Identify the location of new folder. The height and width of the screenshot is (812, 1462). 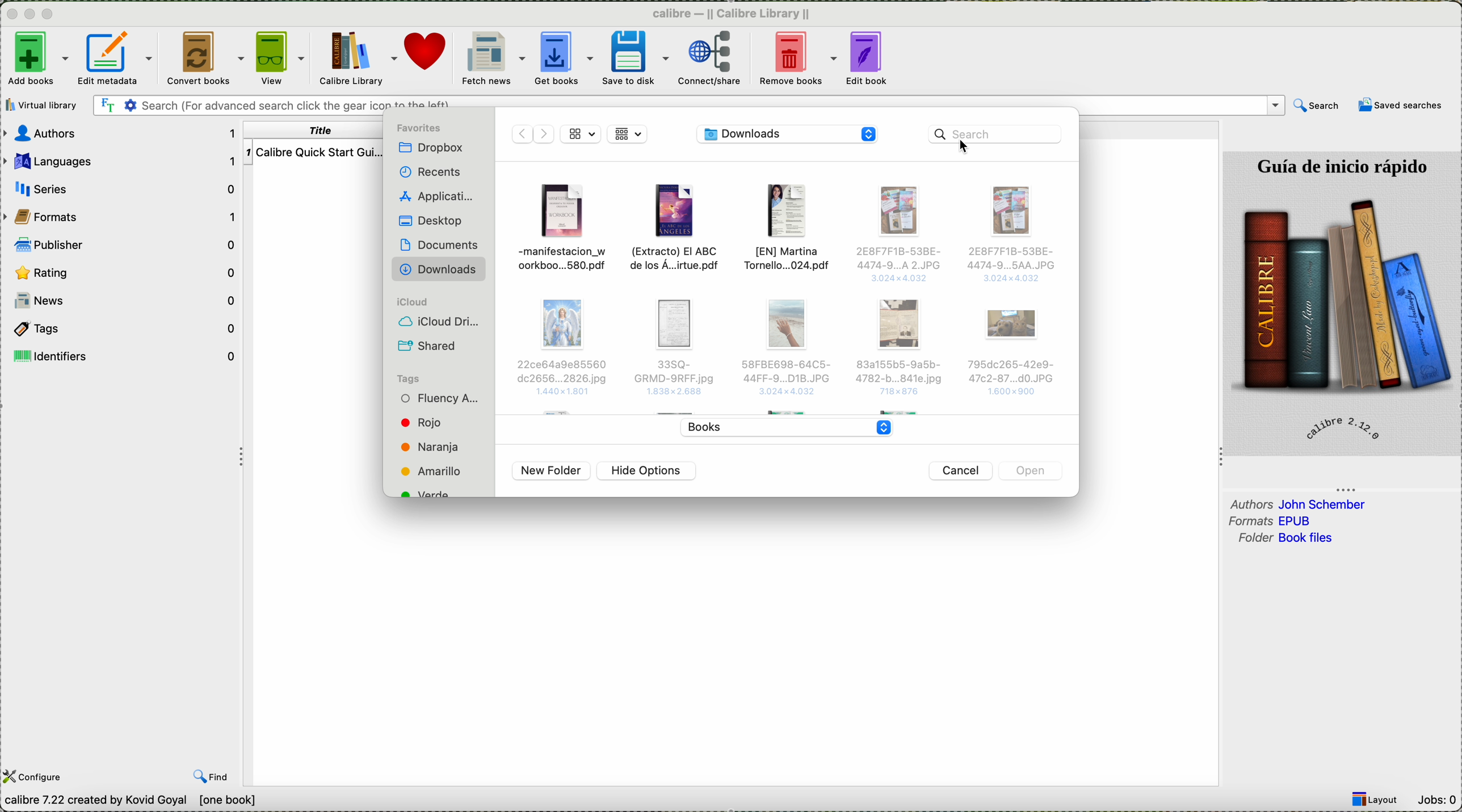
(552, 472).